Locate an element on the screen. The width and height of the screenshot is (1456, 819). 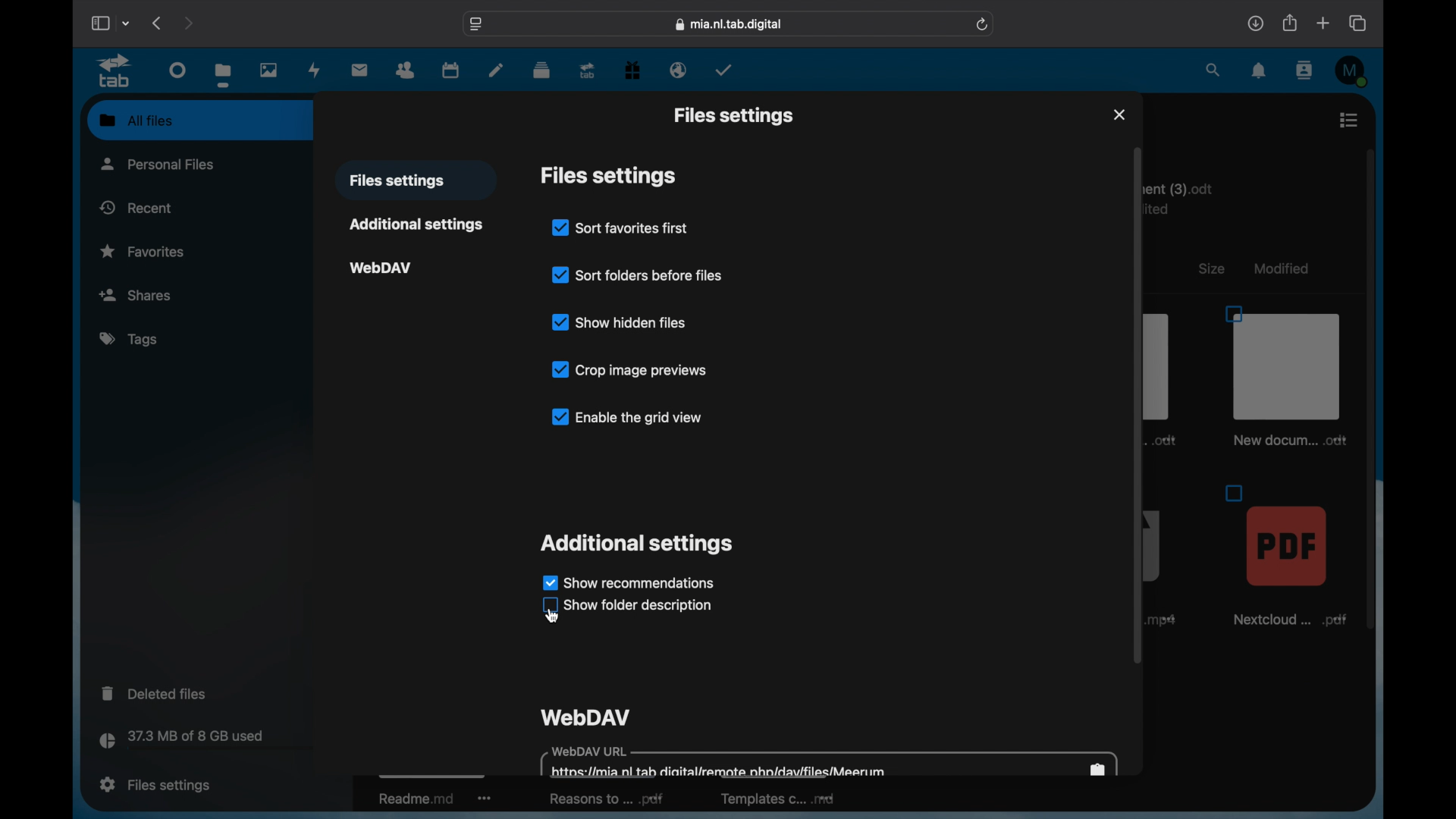
menu is located at coordinates (1350, 120).